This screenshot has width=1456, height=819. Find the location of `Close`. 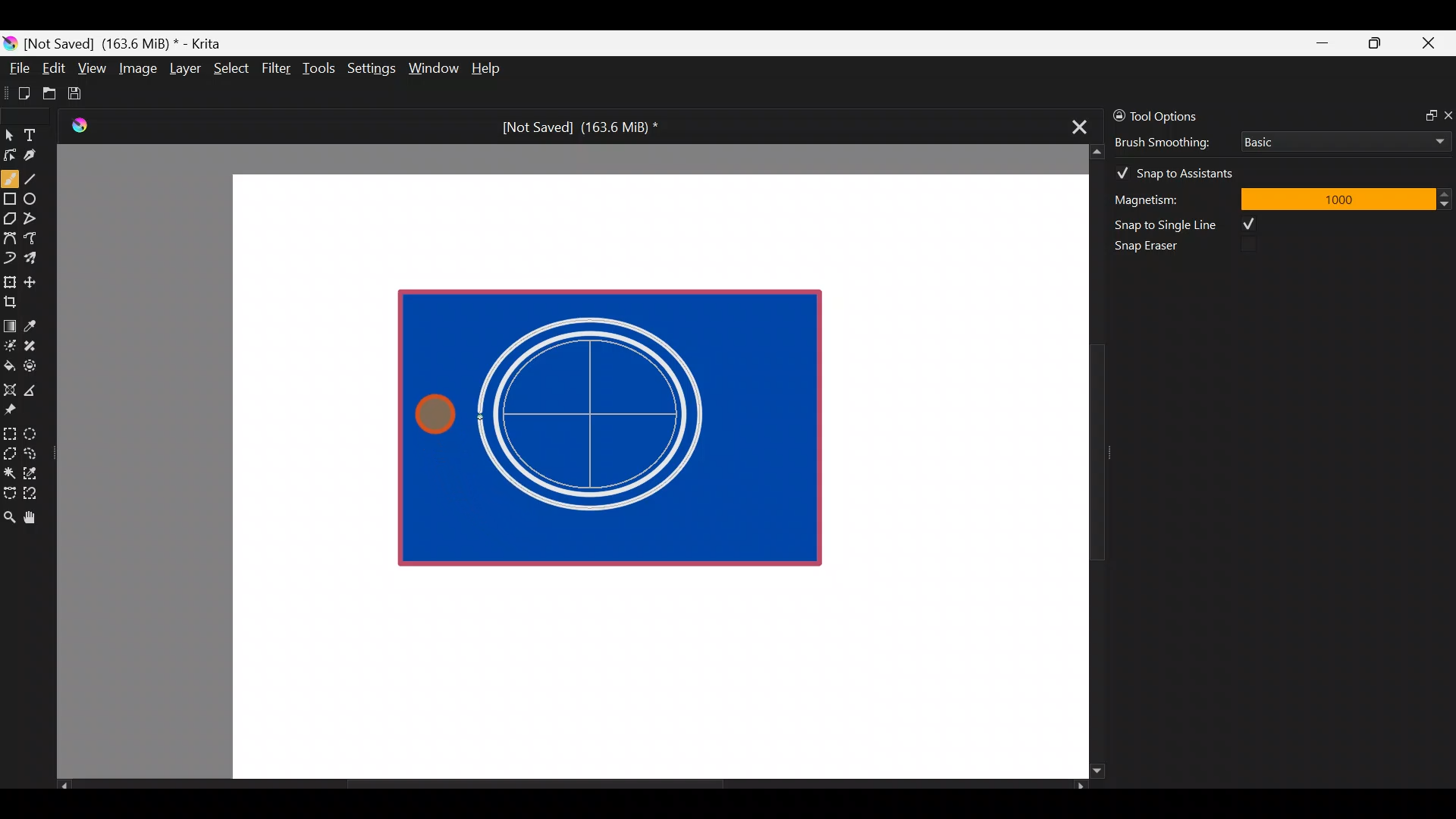

Close is located at coordinates (1429, 46).